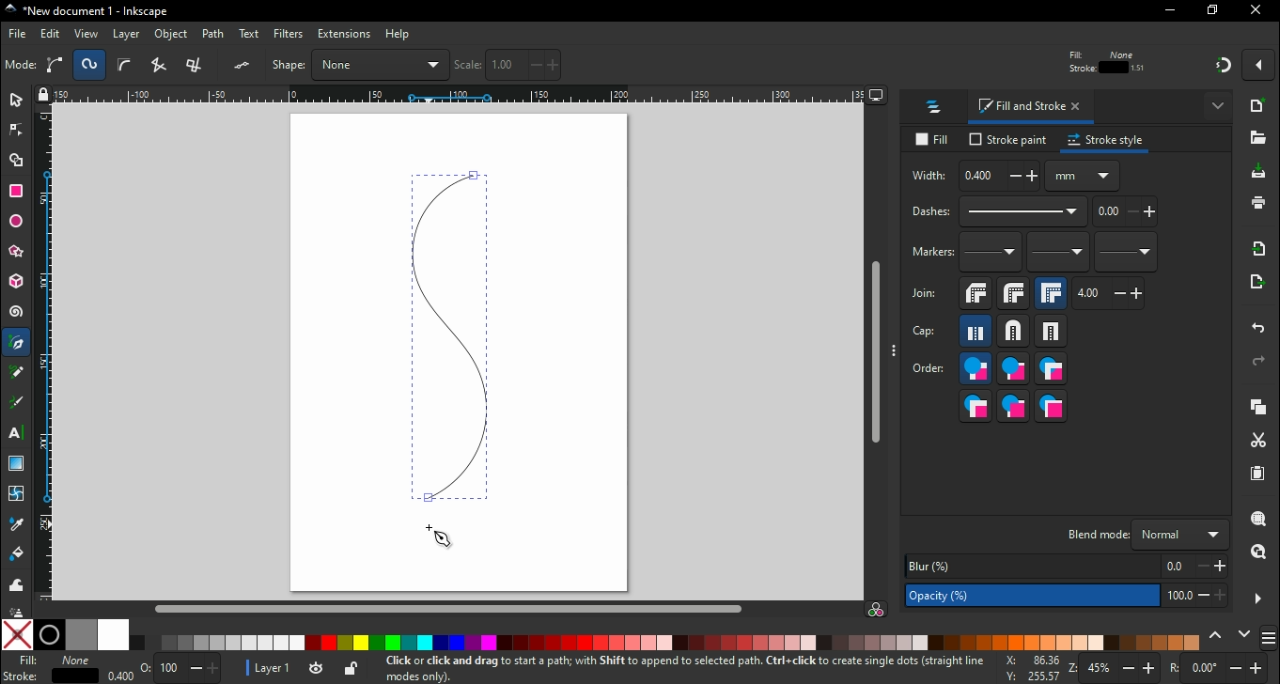  What do you see at coordinates (449, 337) in the screenshot?
I see `curved line` at bounding box center [449, 337].